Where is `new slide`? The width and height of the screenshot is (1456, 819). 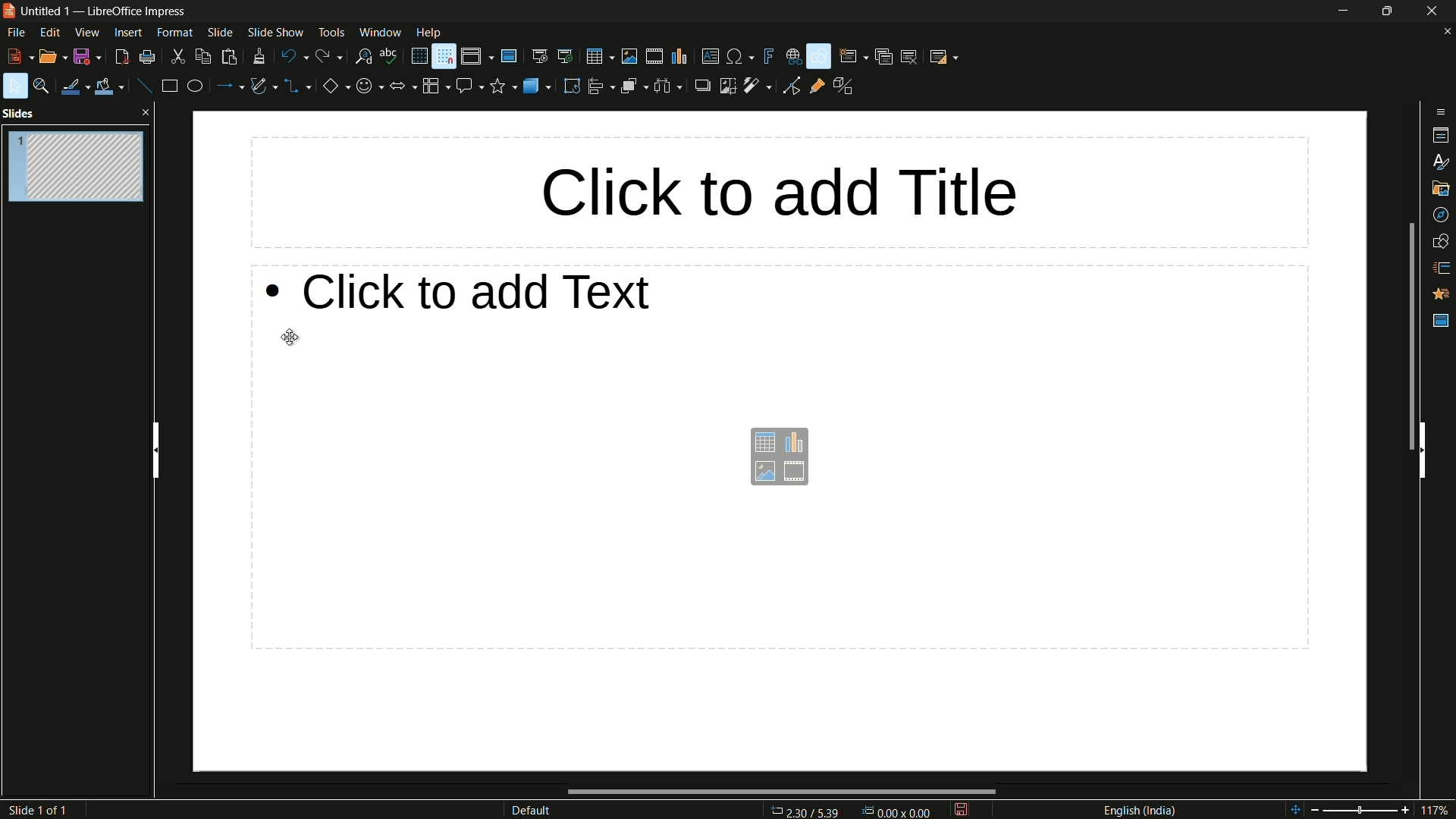
new slide is located at coordinates (853, 56).